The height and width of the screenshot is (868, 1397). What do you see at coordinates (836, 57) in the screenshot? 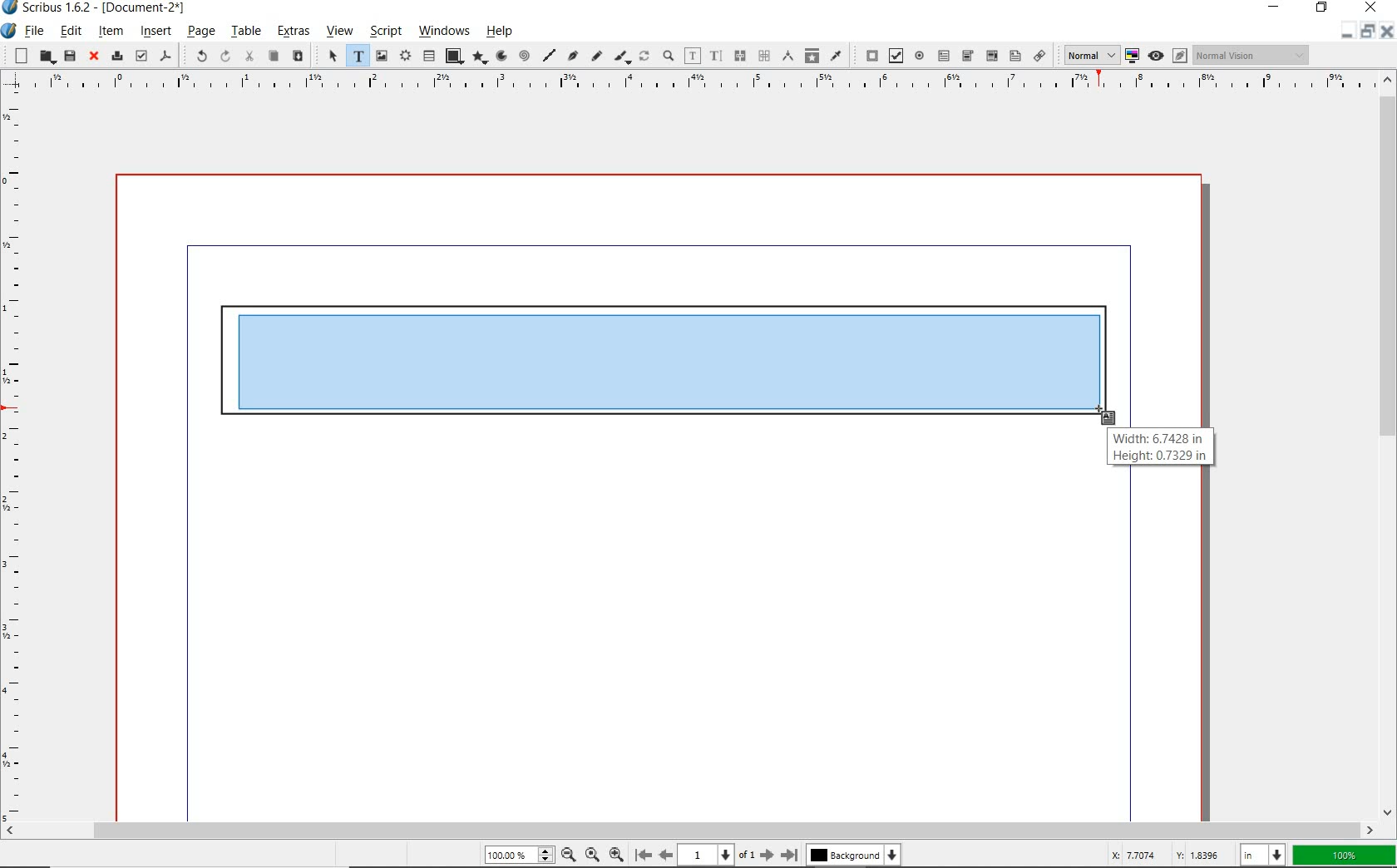
I see `eye dropper` at bounding box center [836, 57].